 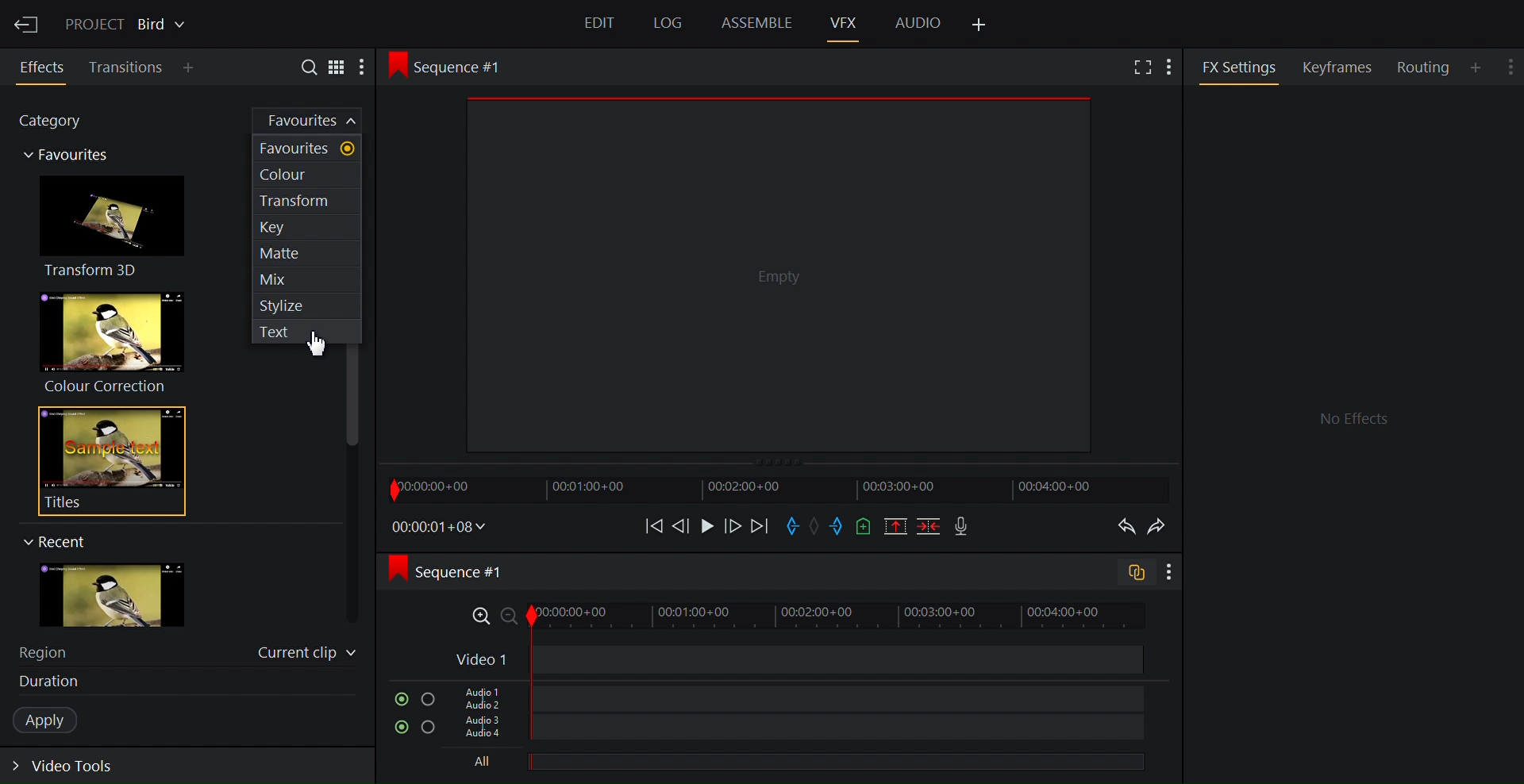 What do you see at coordinates (930, 528) in the screenshot?
I see `Delete/cut` at bounding box center [930, 528].